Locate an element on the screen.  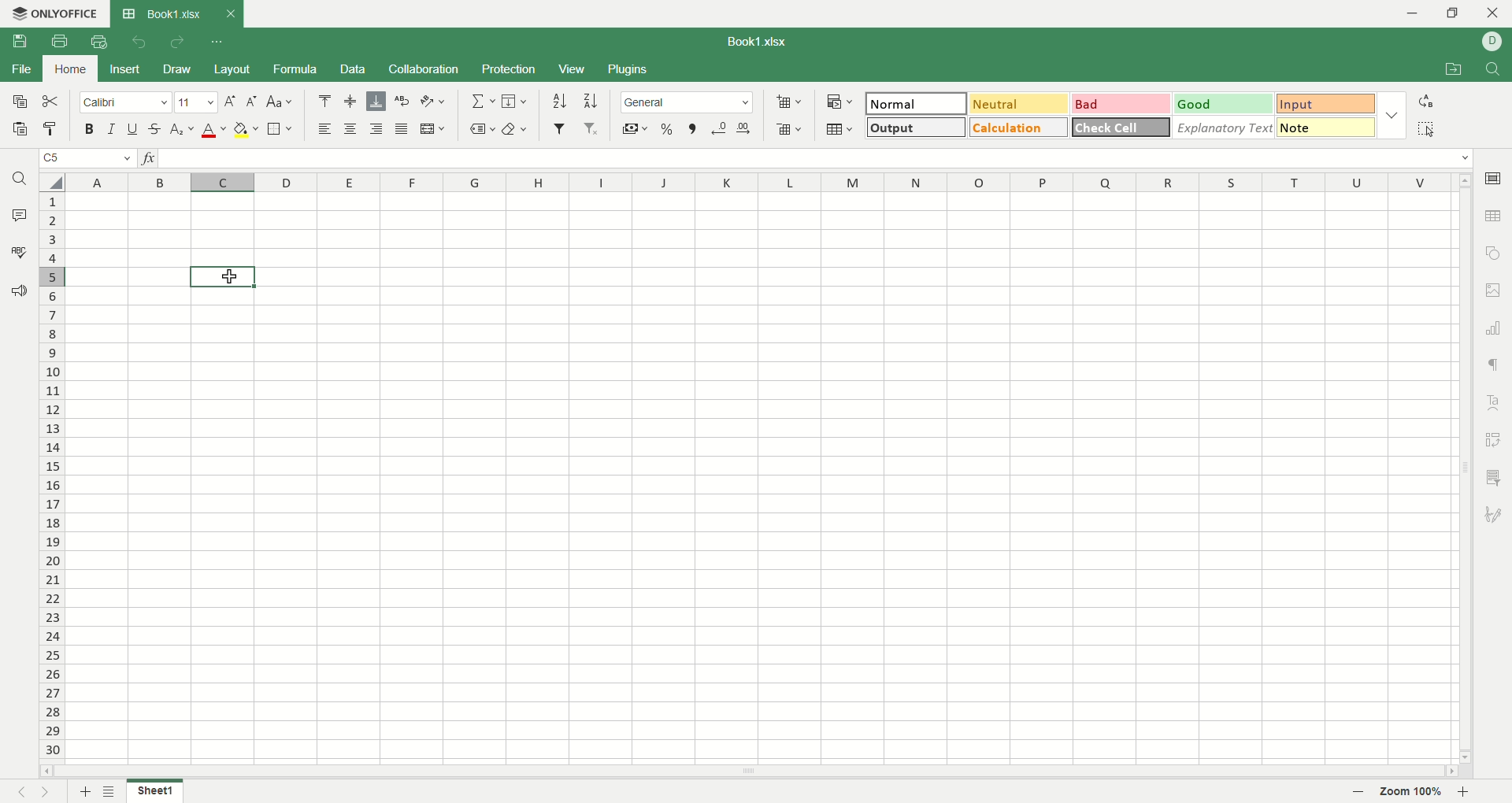
Cursor is located at coordinates (221, 276).